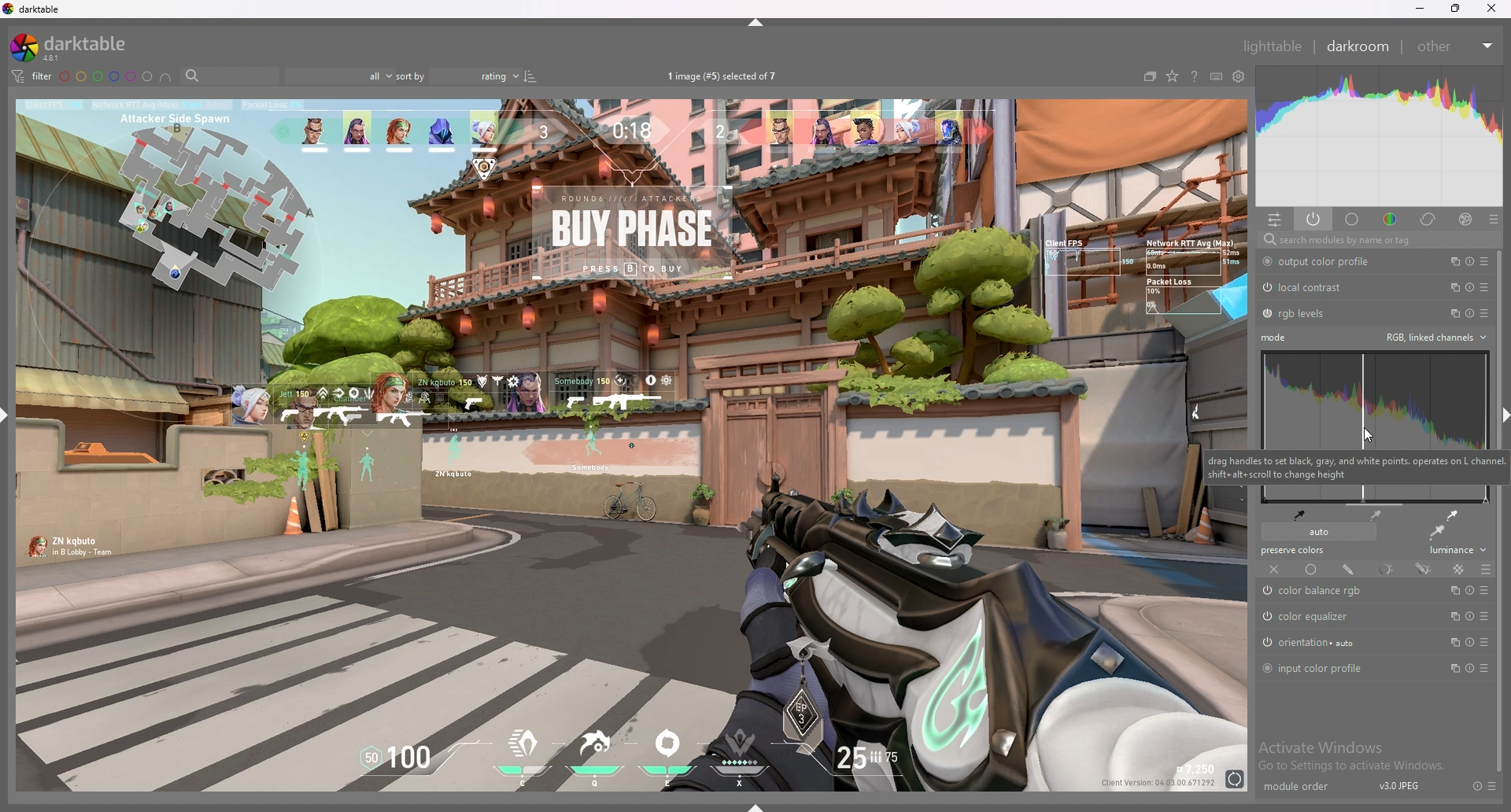 This screenshot has width=1511, height=812. I want to click on multiple instances action, so click(1454, 590).